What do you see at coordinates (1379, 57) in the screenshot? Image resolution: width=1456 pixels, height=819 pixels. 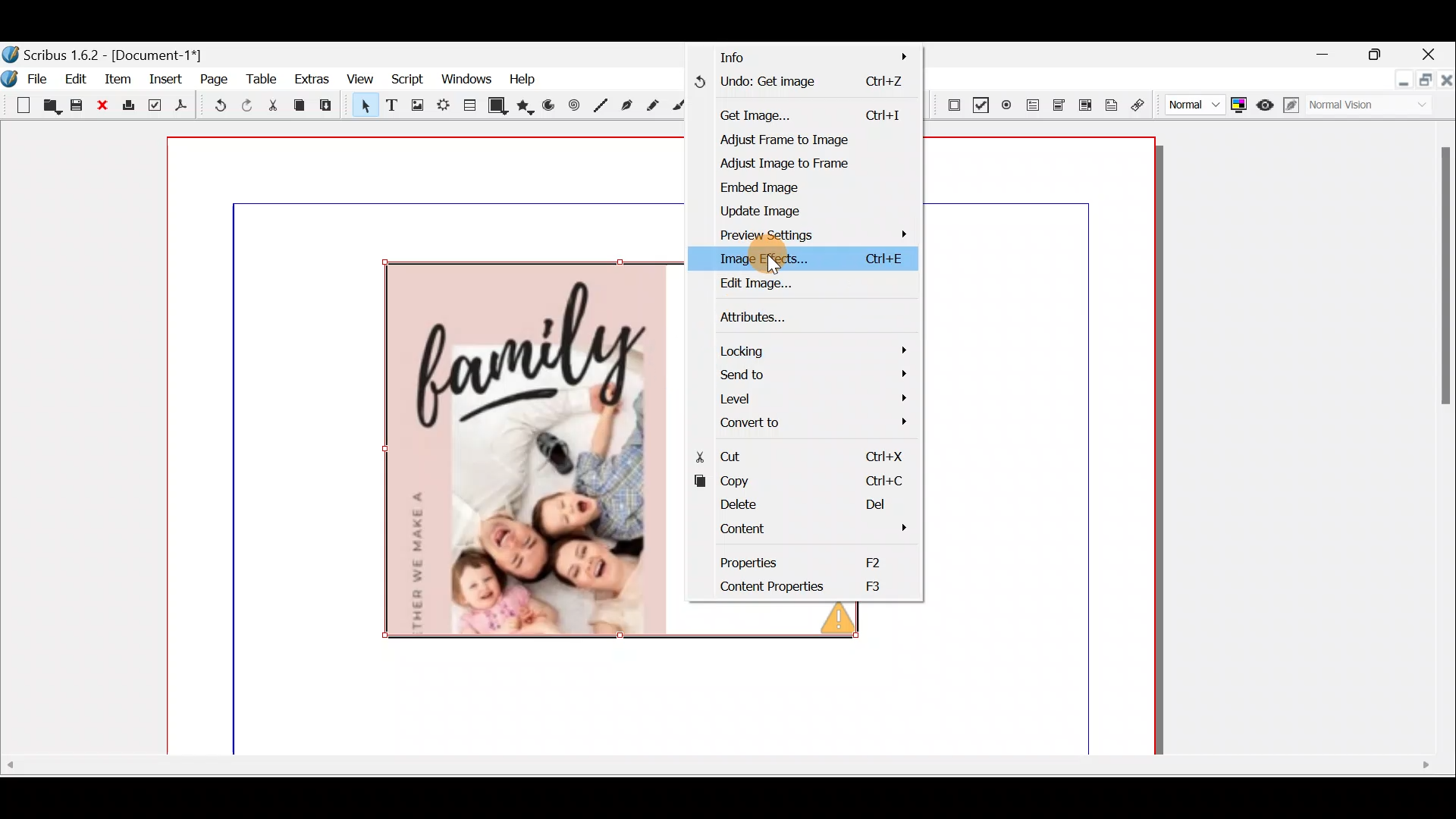 I see `maximise` at bounding box center [1379, 57].